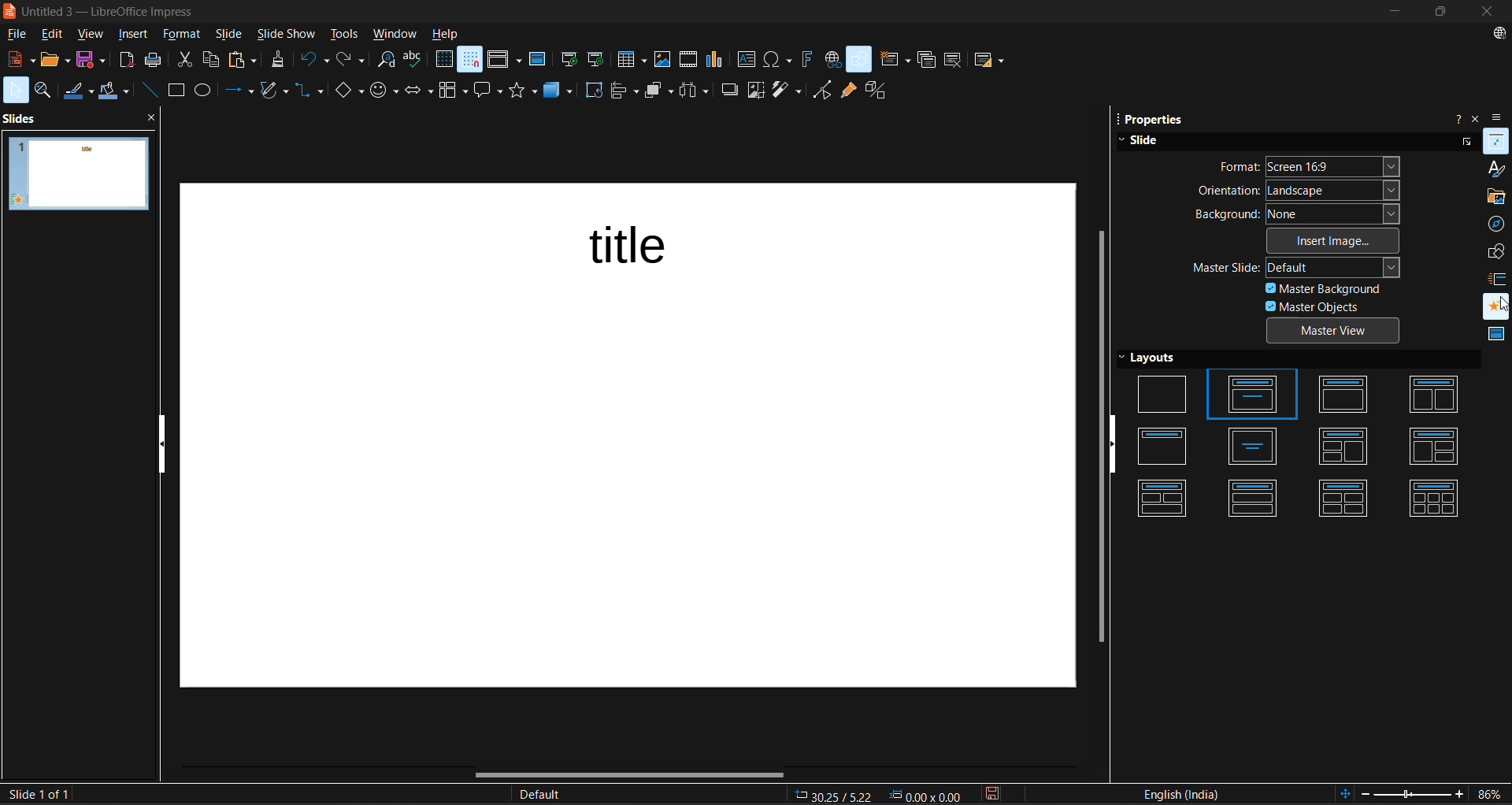  Describe the element at coordinates (151, 113) in the screenshot. I see `close pane` at that location.